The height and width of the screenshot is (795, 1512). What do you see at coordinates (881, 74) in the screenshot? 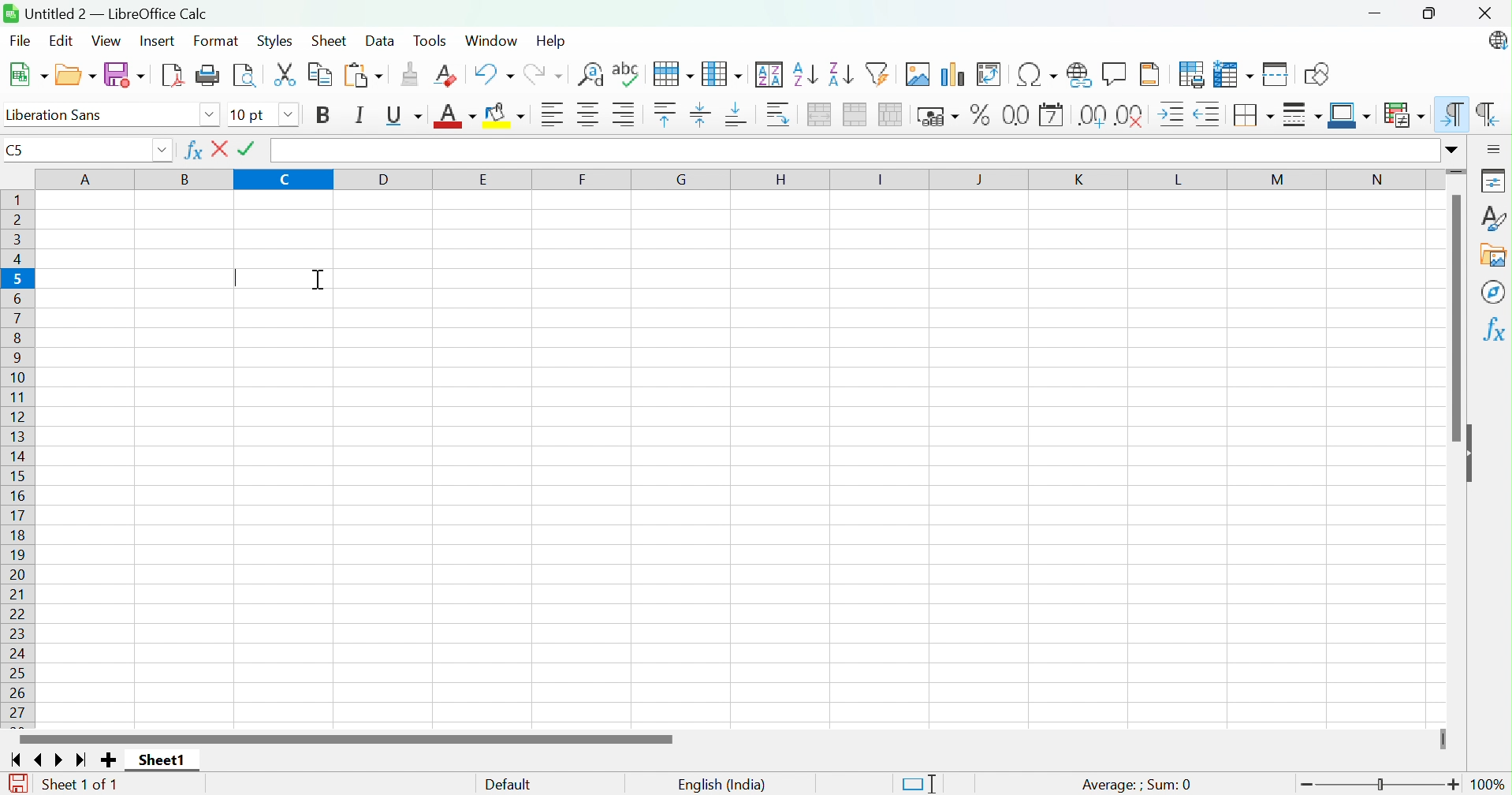
I see `Autofilter` at bounding box center [881, 74].